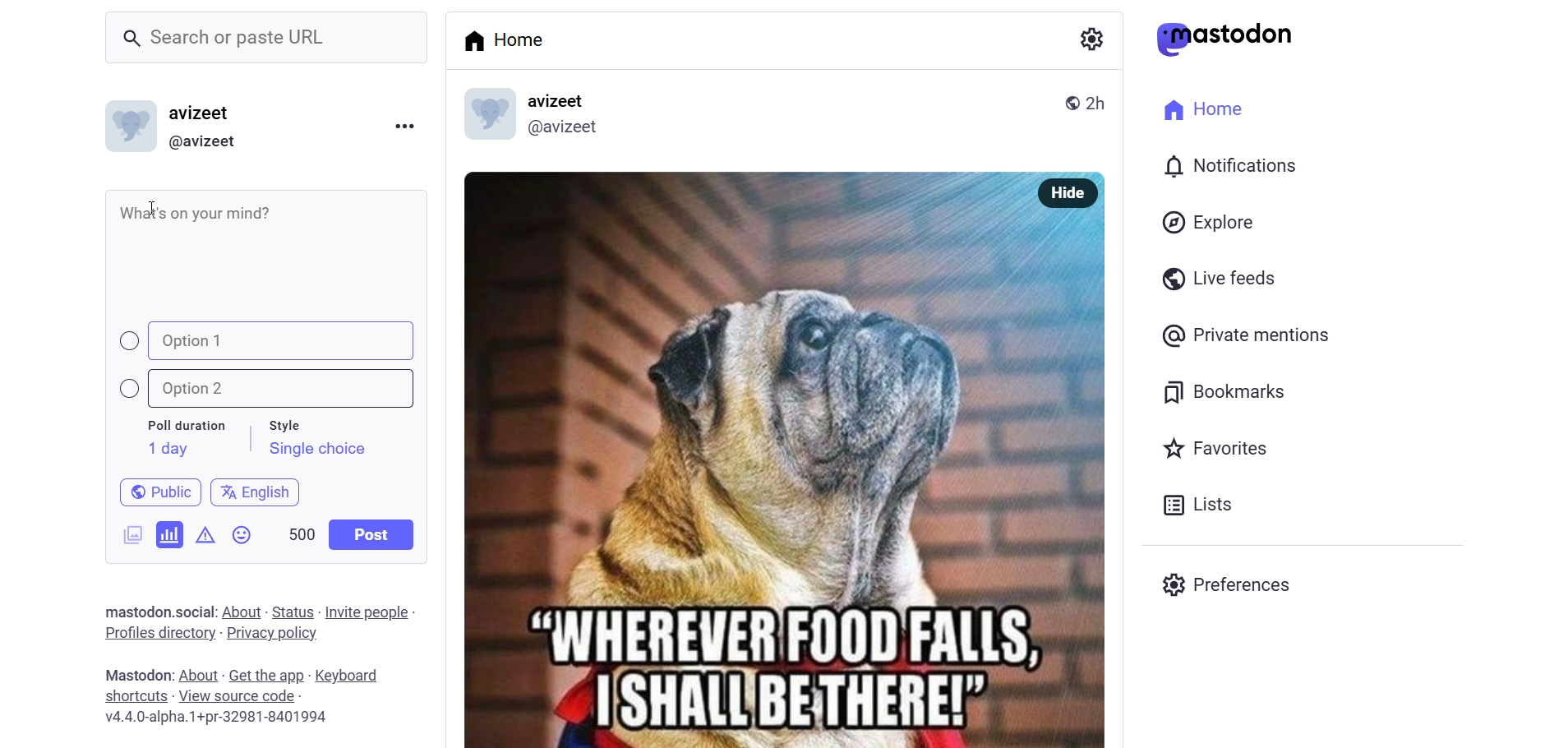 The width and height of the screenshot is (1568, 748). What do you see at coordinates (293, 612) in the screenshot?
I see `status` at bounding box center [293, 612].